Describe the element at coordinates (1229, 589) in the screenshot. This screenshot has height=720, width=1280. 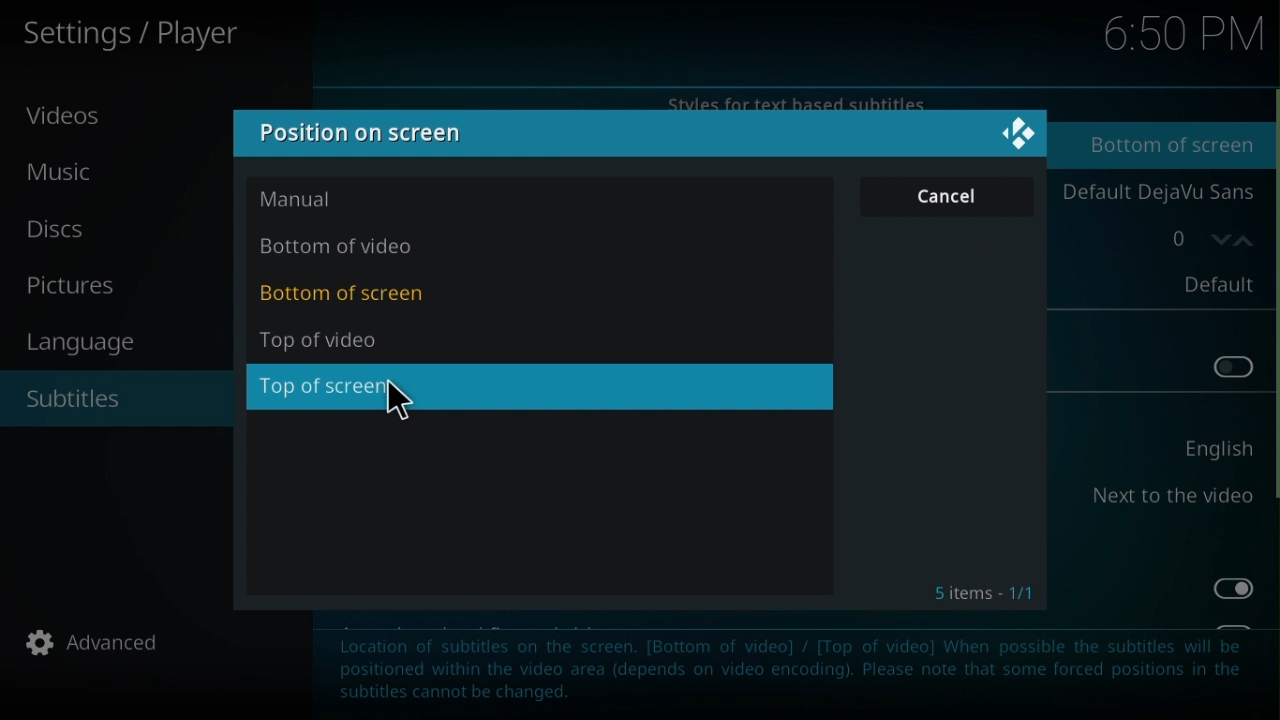
I see `Toggle` at that location.